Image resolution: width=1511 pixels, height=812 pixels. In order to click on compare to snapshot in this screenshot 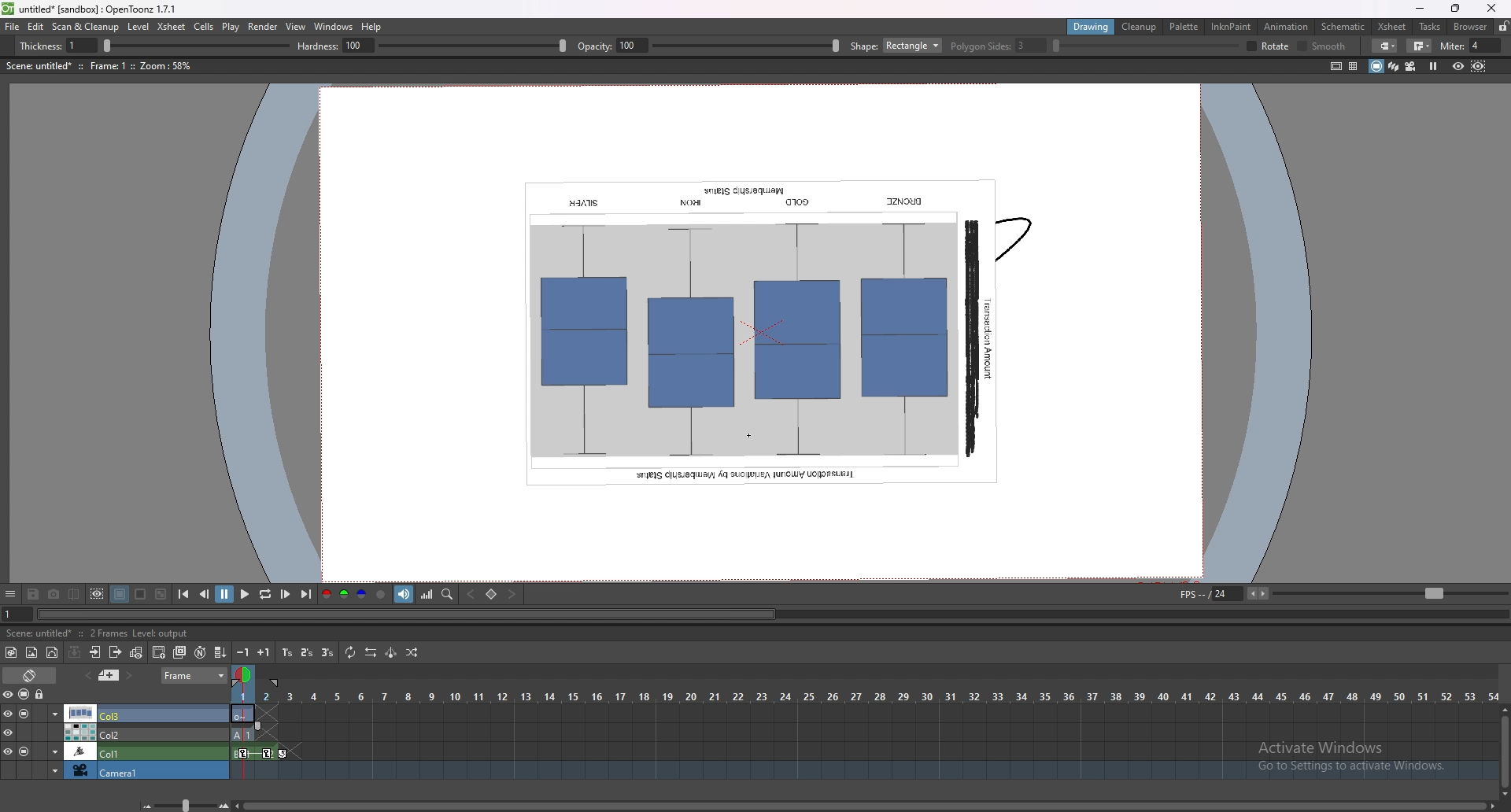, I will do `click(76, 593)`.